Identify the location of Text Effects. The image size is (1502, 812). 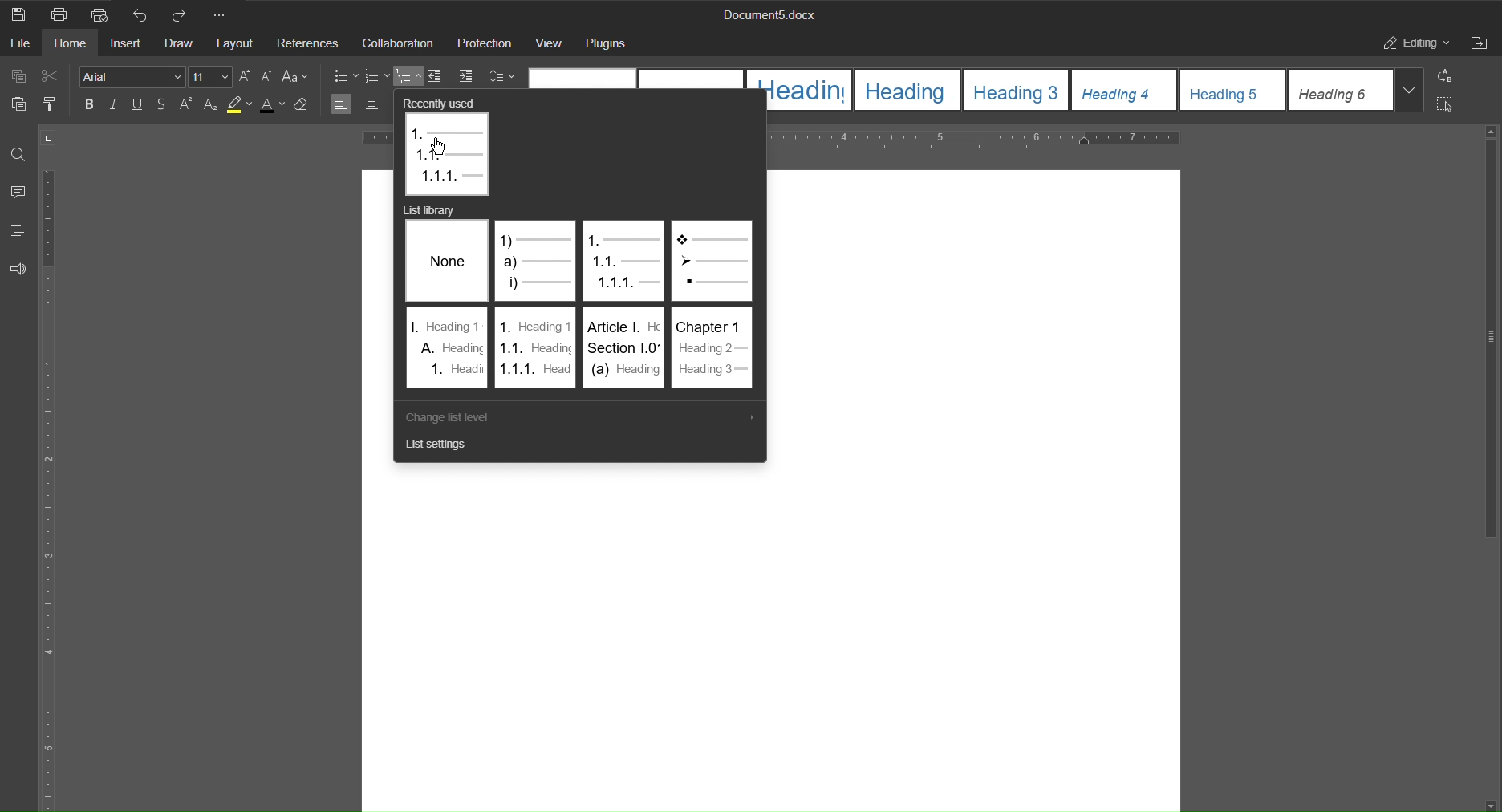
(127, 104).